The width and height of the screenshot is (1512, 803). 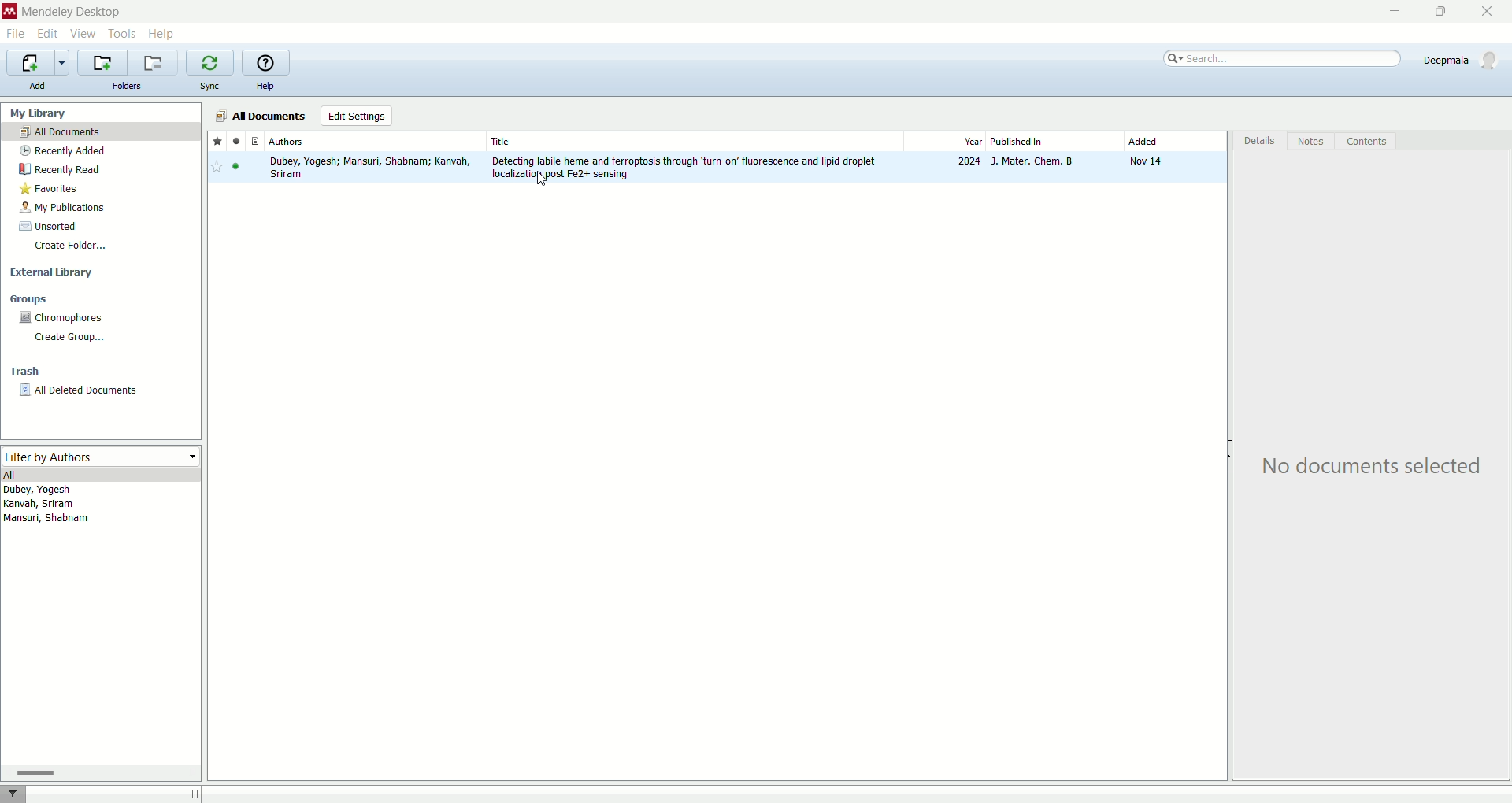 What do you see at coordinates (42, 490) in the screenshot?
I see `Dubey, Yogesh` at bounding box center [42, 490].